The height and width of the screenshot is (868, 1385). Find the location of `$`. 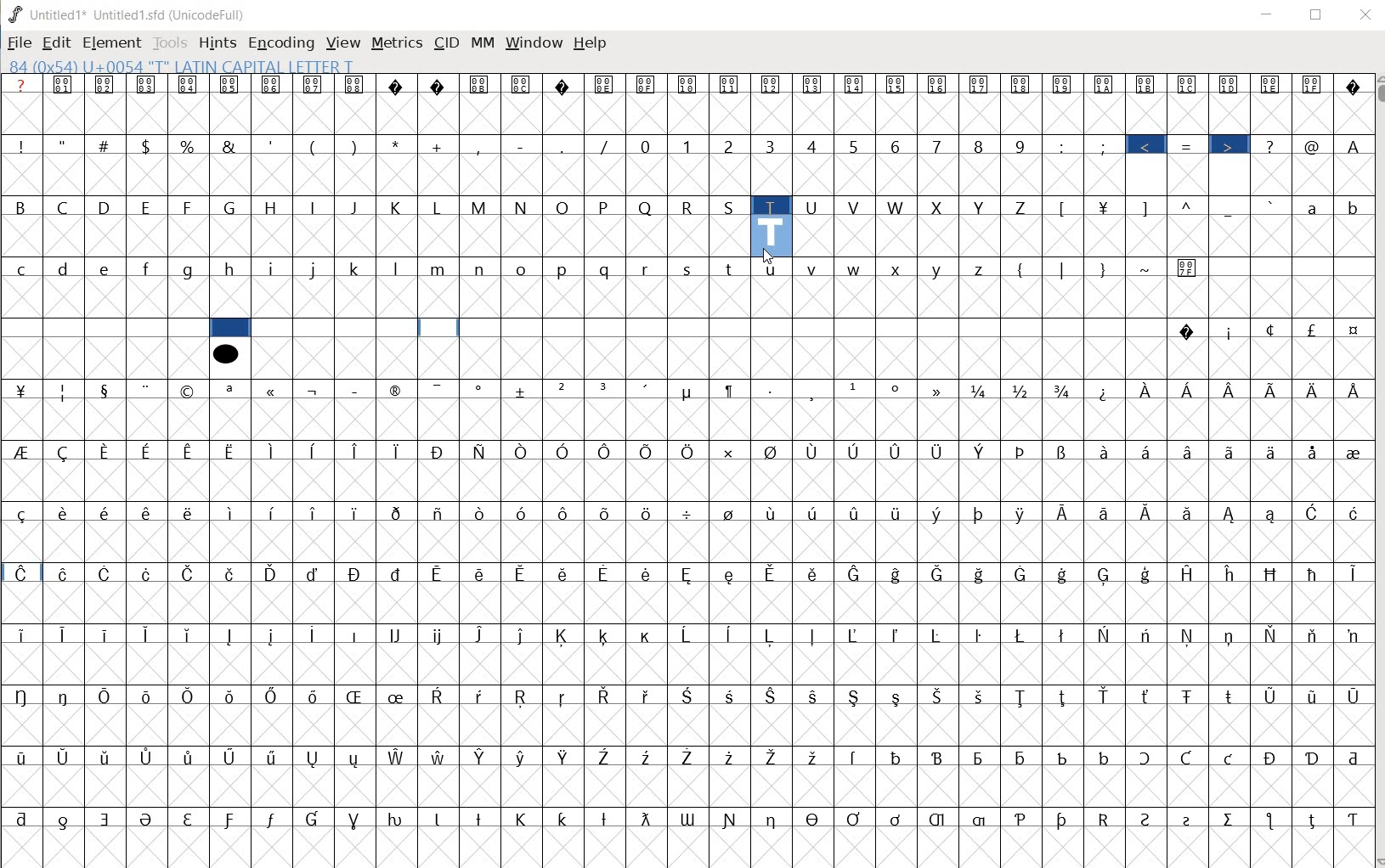

$ is located at coordinates (148, 147).